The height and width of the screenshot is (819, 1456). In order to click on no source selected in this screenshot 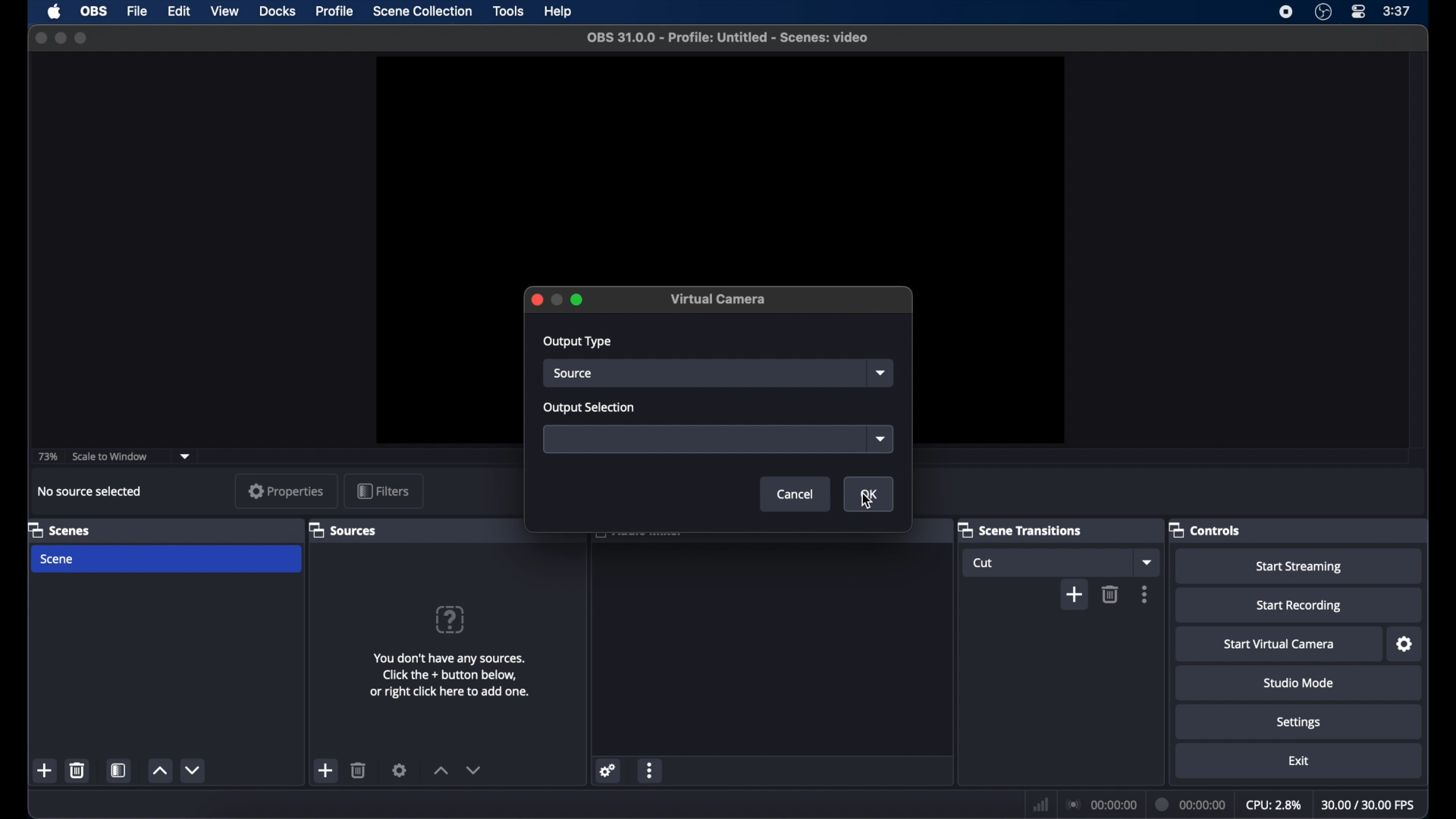, I will do `click(94, 491)`.